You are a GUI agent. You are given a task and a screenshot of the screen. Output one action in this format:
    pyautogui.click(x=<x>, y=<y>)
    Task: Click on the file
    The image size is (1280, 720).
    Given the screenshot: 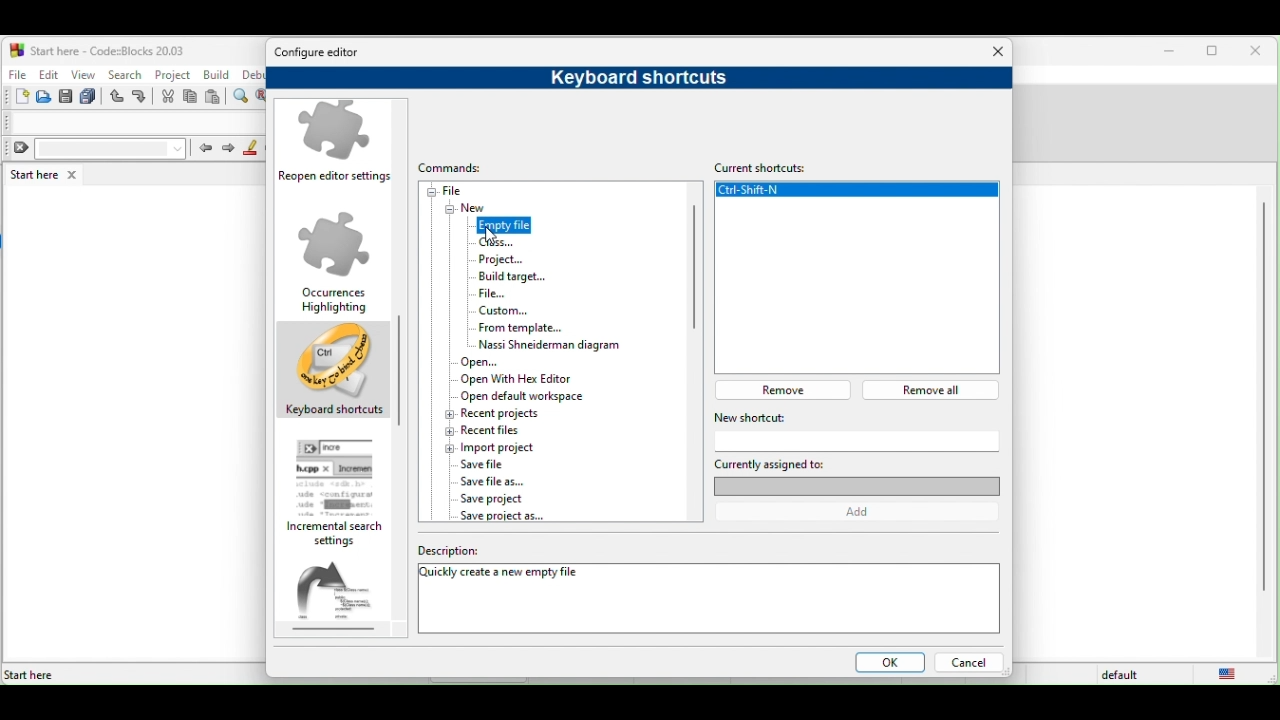 What is the action you would take?
    pyautogui.click(x=505, y=294)
    